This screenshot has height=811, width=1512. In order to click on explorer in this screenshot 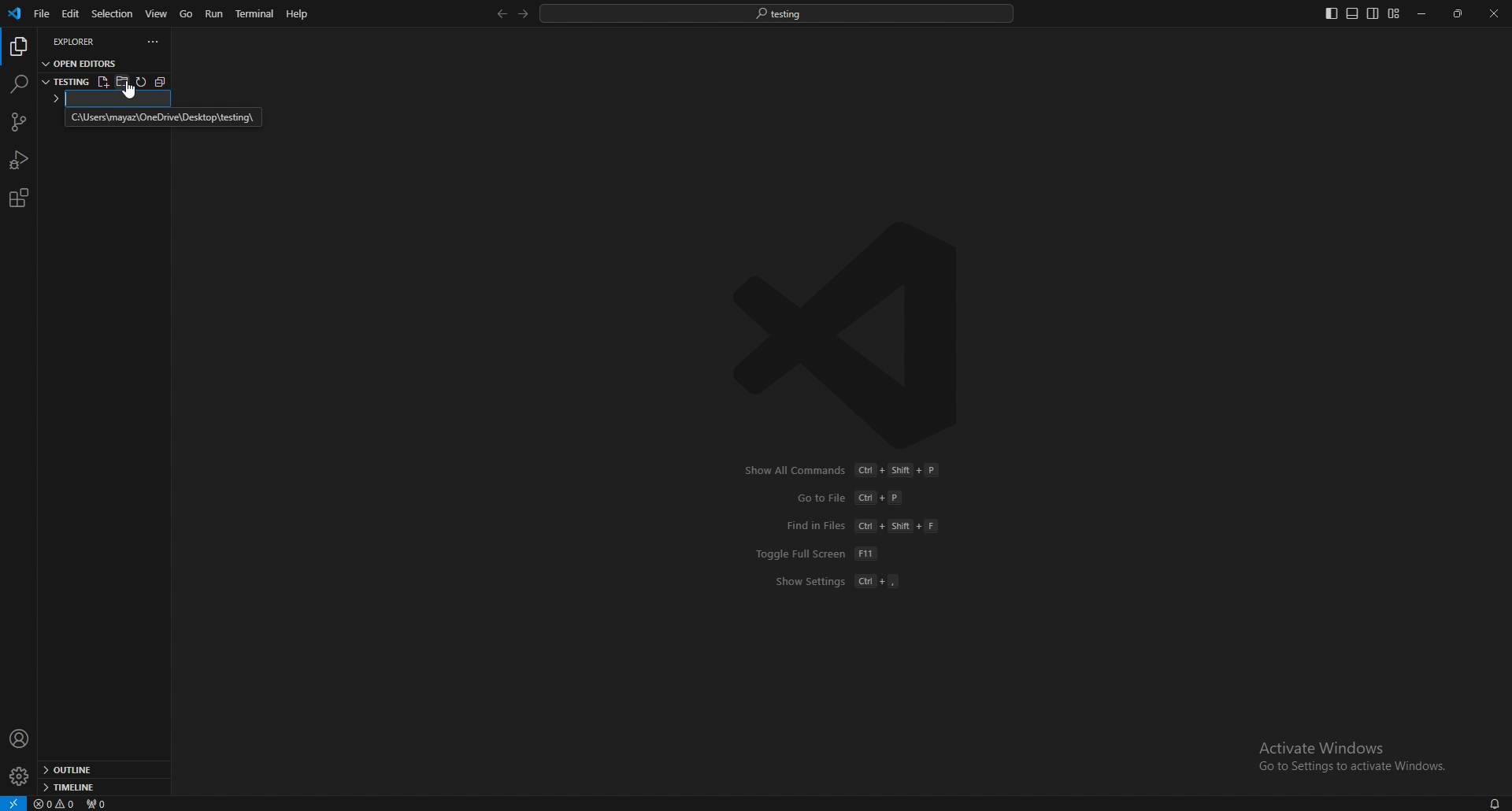, I will do `click(83, 41)`.